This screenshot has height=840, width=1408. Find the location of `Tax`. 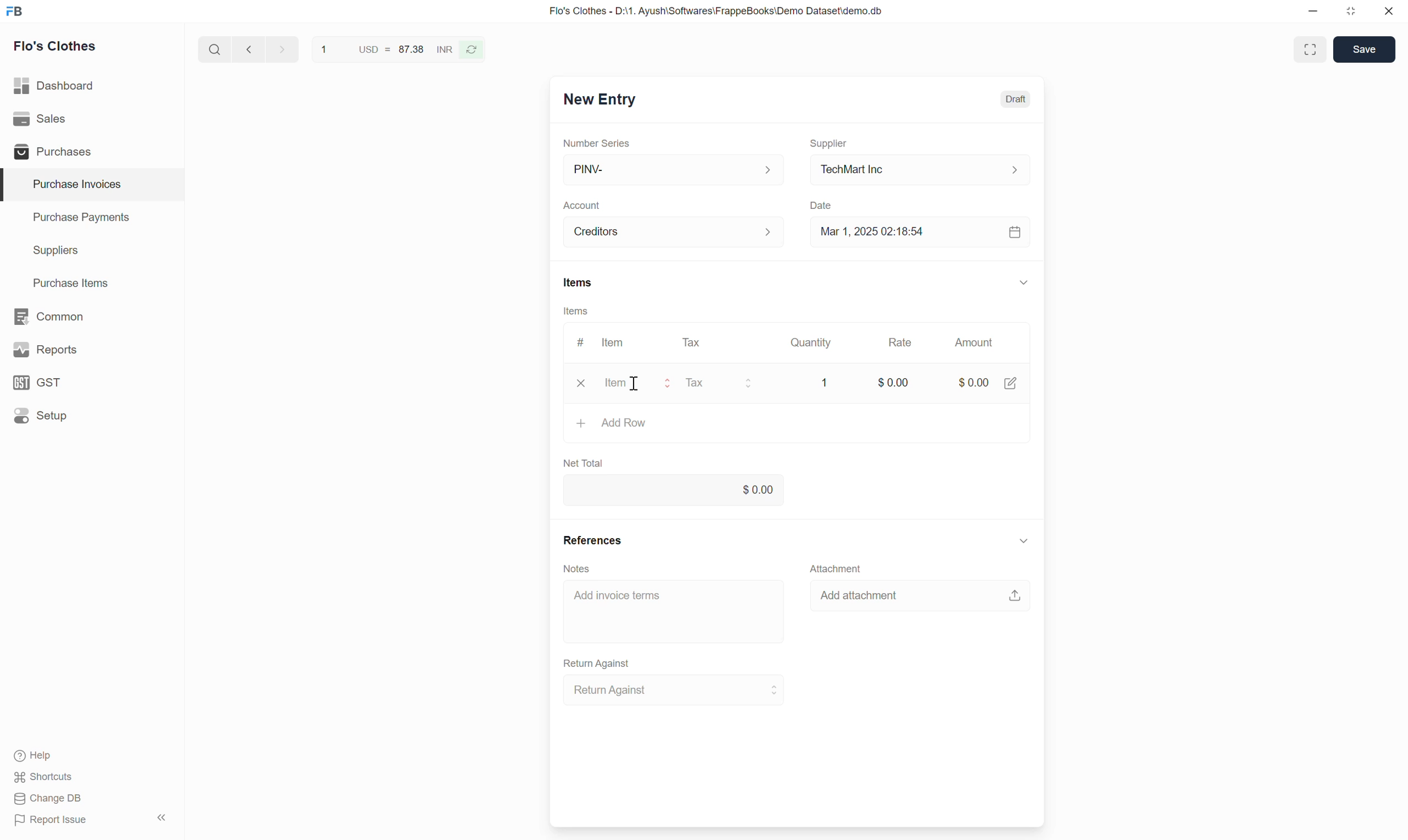

Tax is located at coordinates (695, 342).